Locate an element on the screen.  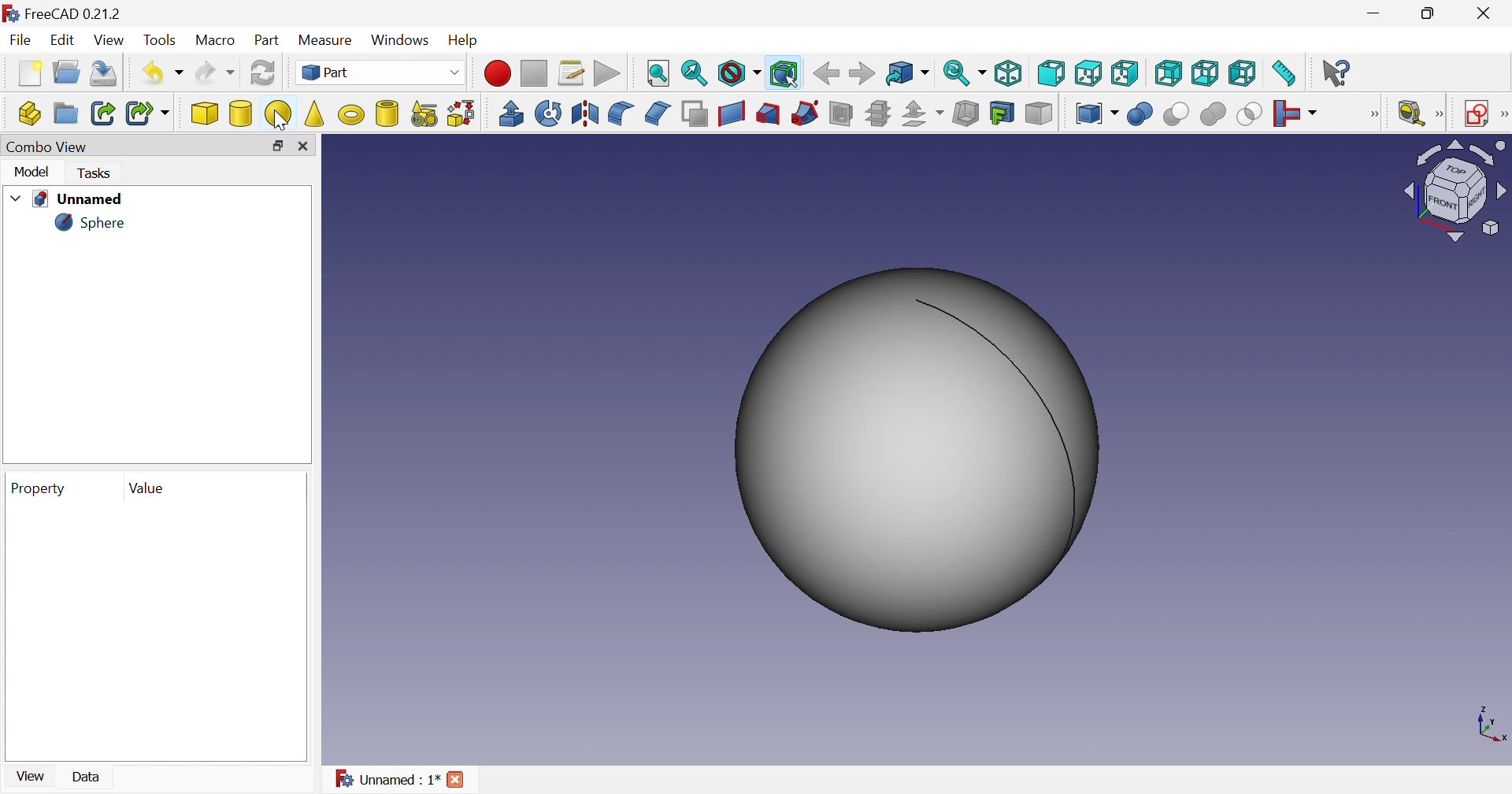
Fit selection is located at coordinates (695, 73).